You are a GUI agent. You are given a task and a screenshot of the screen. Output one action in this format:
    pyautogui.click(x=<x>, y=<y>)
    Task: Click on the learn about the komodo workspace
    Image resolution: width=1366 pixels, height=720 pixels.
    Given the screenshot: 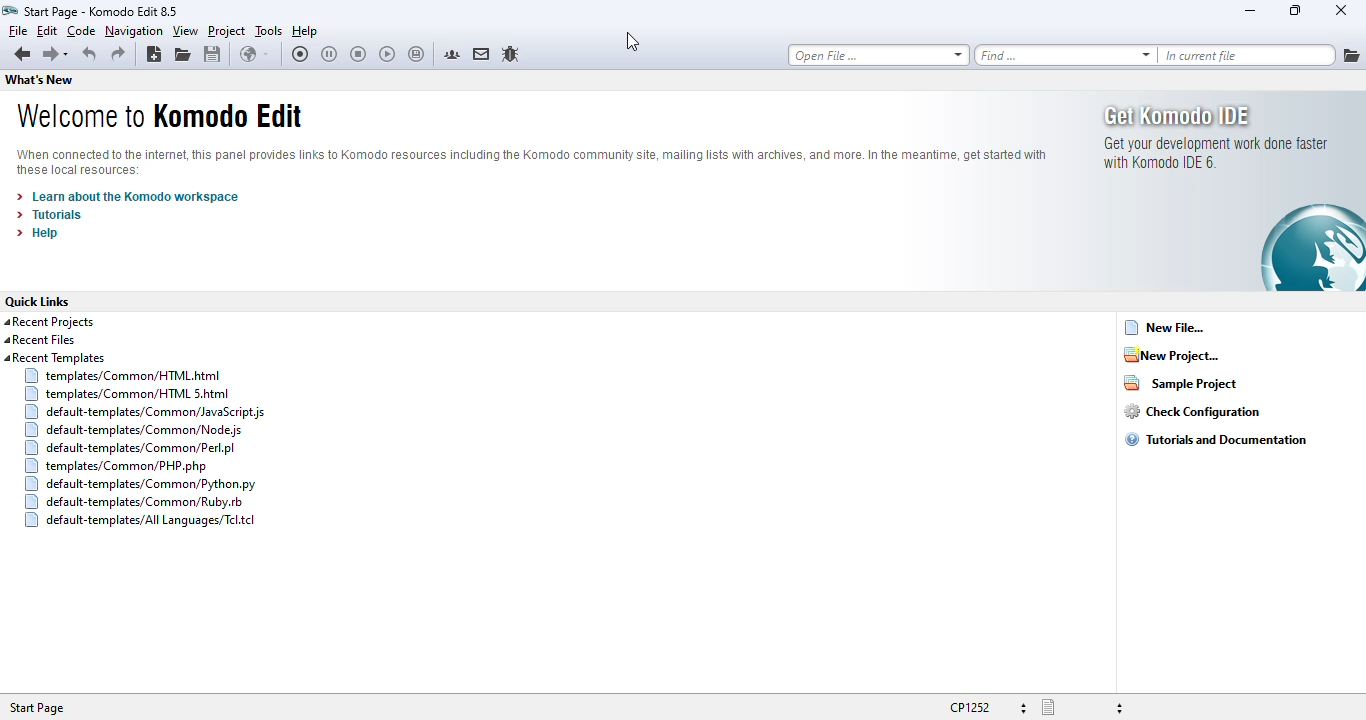 What is the action you would take?
    pyautogui.click(x=127, y=197)
    